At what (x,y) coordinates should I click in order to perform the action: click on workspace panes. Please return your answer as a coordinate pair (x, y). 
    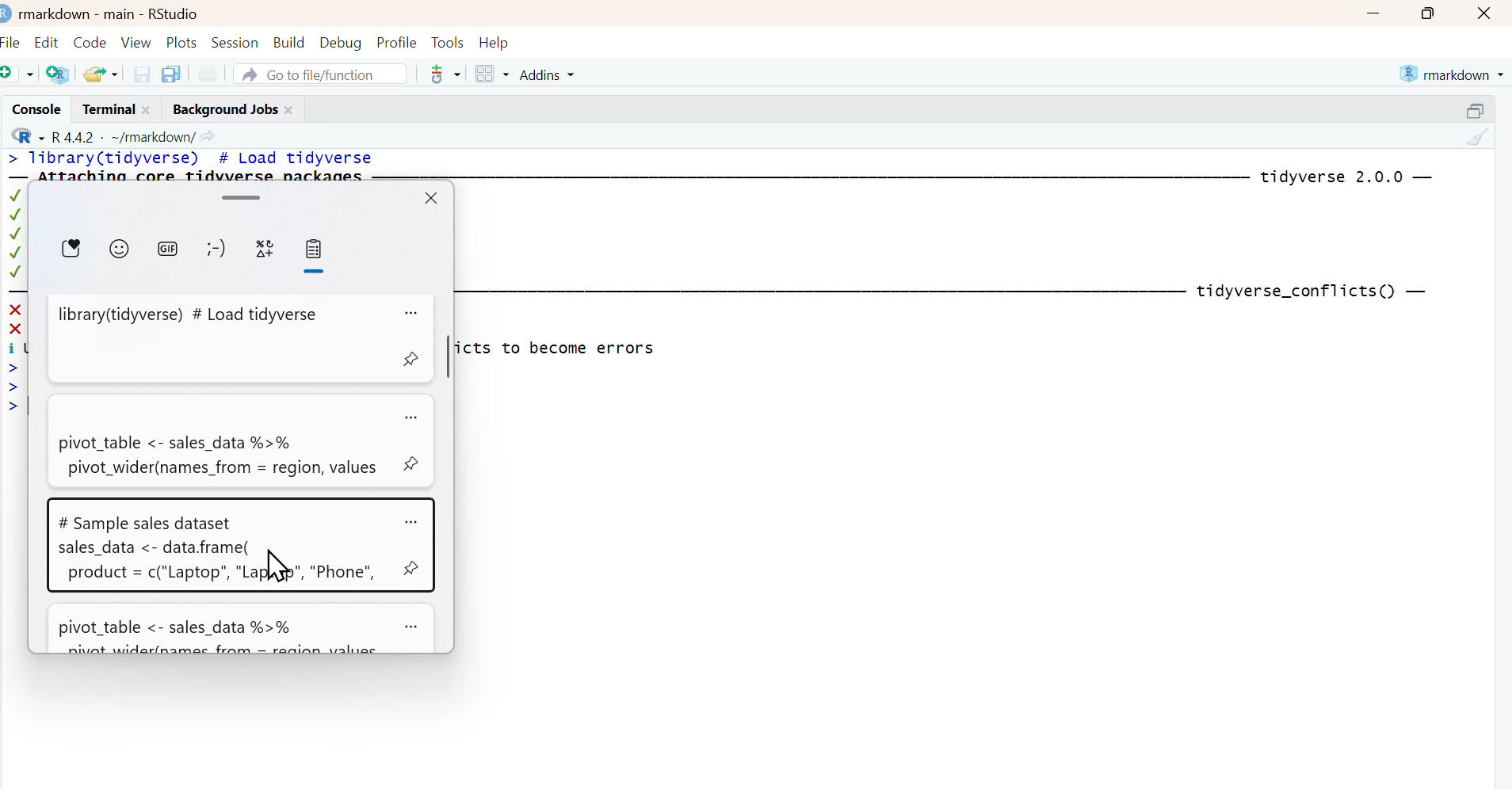
    Looking at the image, I should click on (492, 74).